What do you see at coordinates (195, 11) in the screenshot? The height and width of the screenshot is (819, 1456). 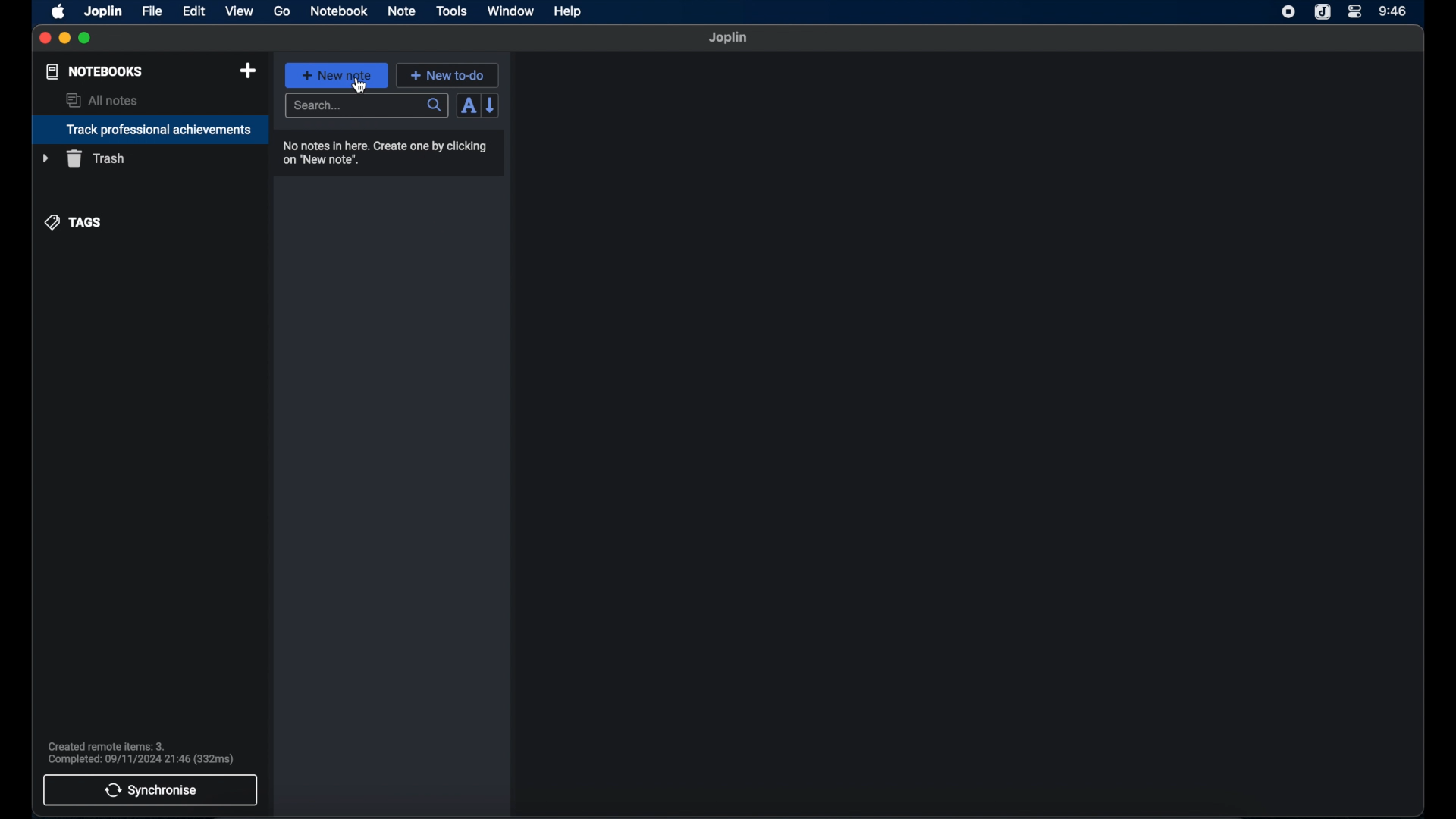 I see `edit` at bounding box center [195, 11].